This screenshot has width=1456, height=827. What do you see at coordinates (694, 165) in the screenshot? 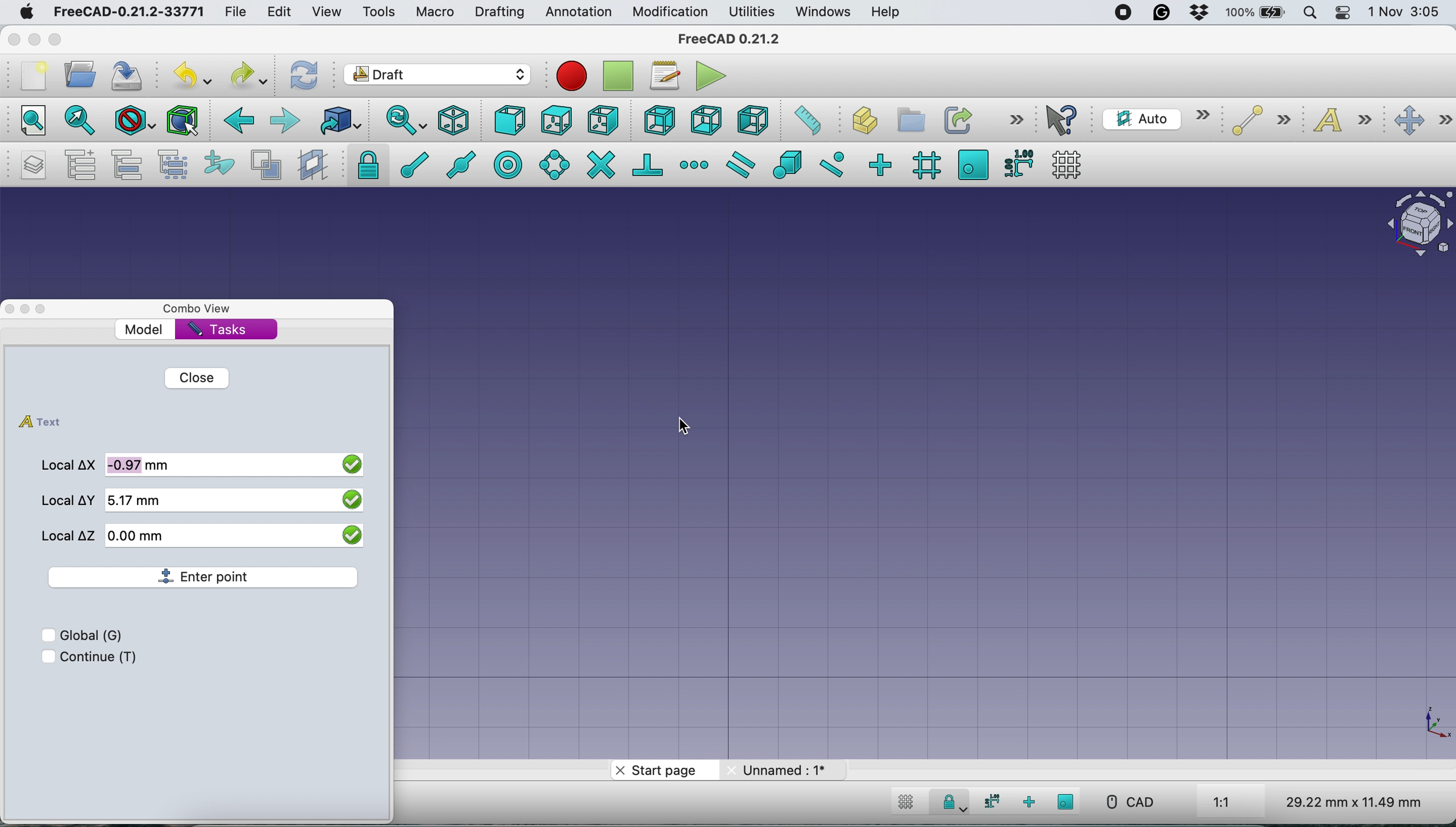
I see `snap extension` at bounding box center [694, 165].